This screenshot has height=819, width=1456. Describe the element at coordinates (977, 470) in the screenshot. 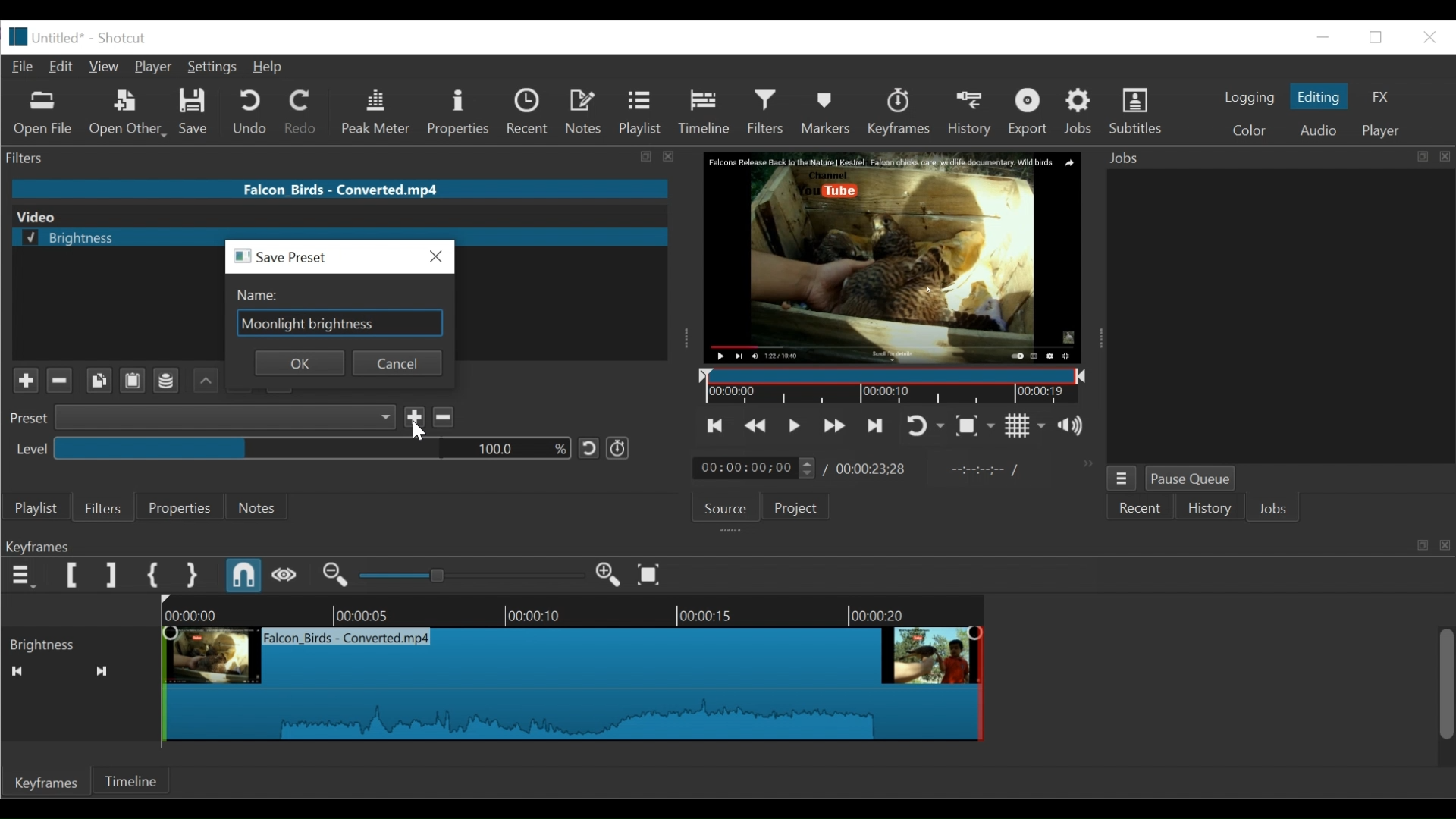

I see `In point` at that location.